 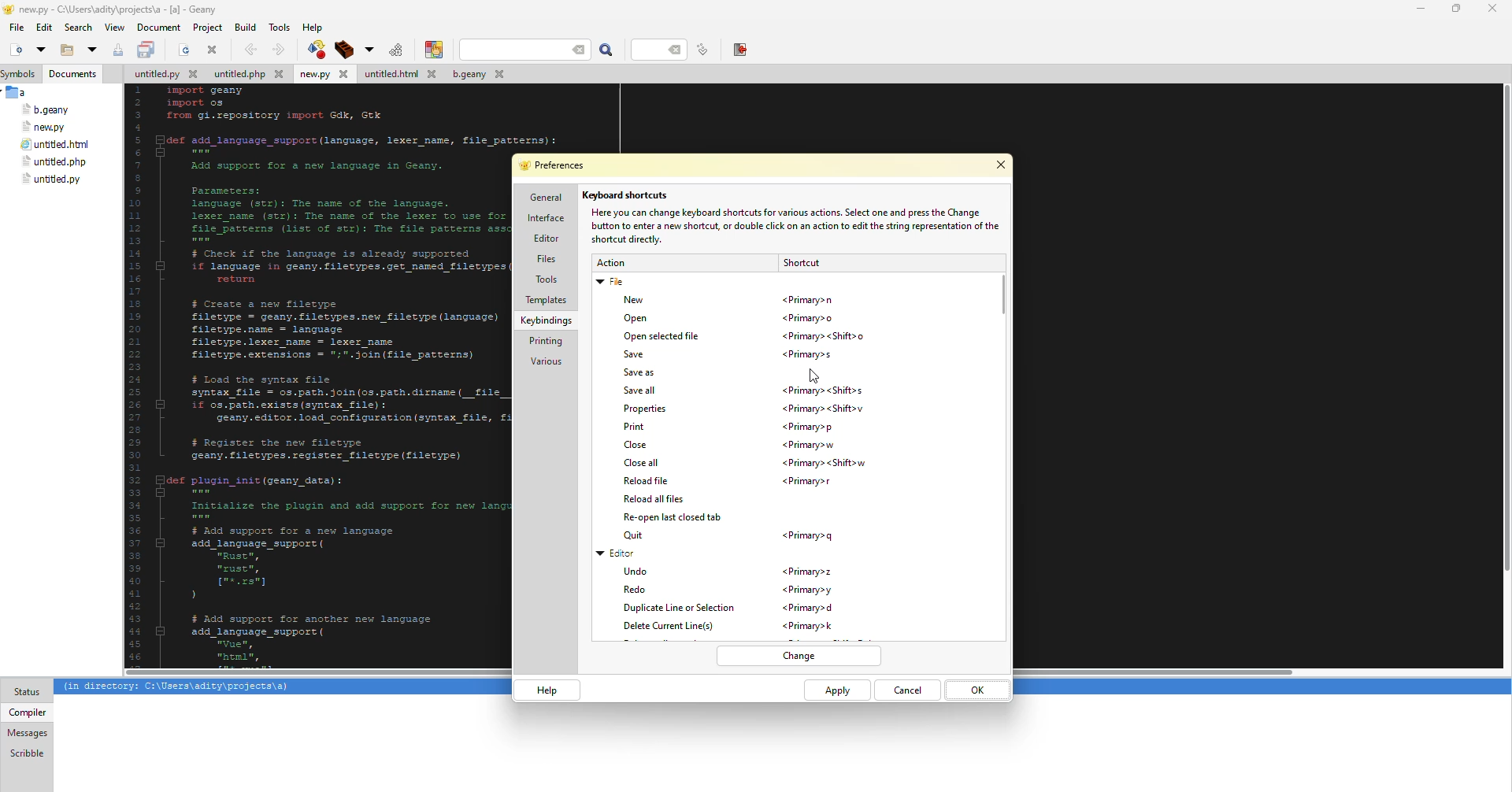 What do you see at coordinates (248, 76) in the screenshot?
I see `file` at bounding box center [248, 76].